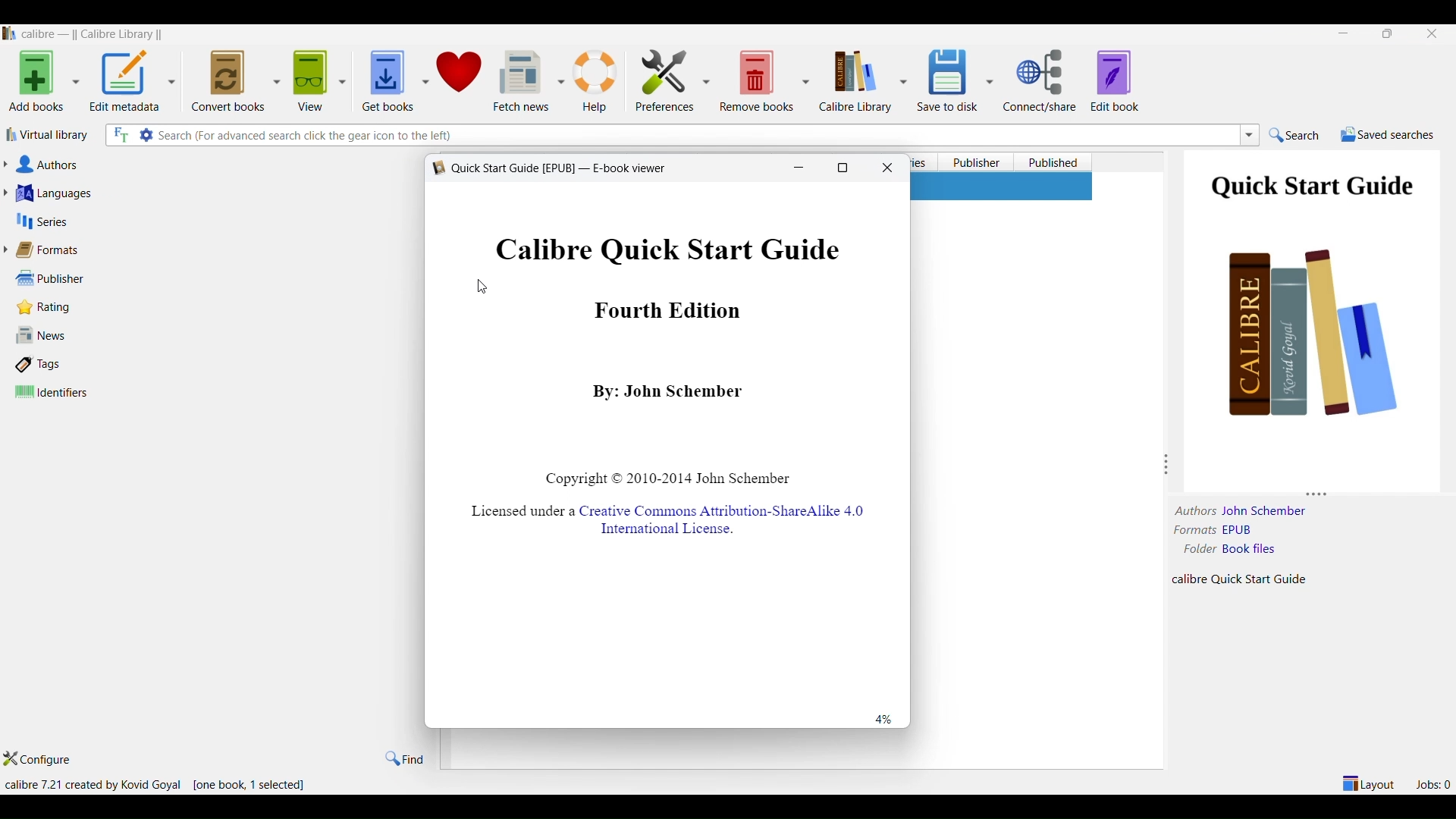 The image size is (1456, 819). What do you see at coordinates (388, 78) in the screenshot?
I see `get books` at bounding box center [388, 78].